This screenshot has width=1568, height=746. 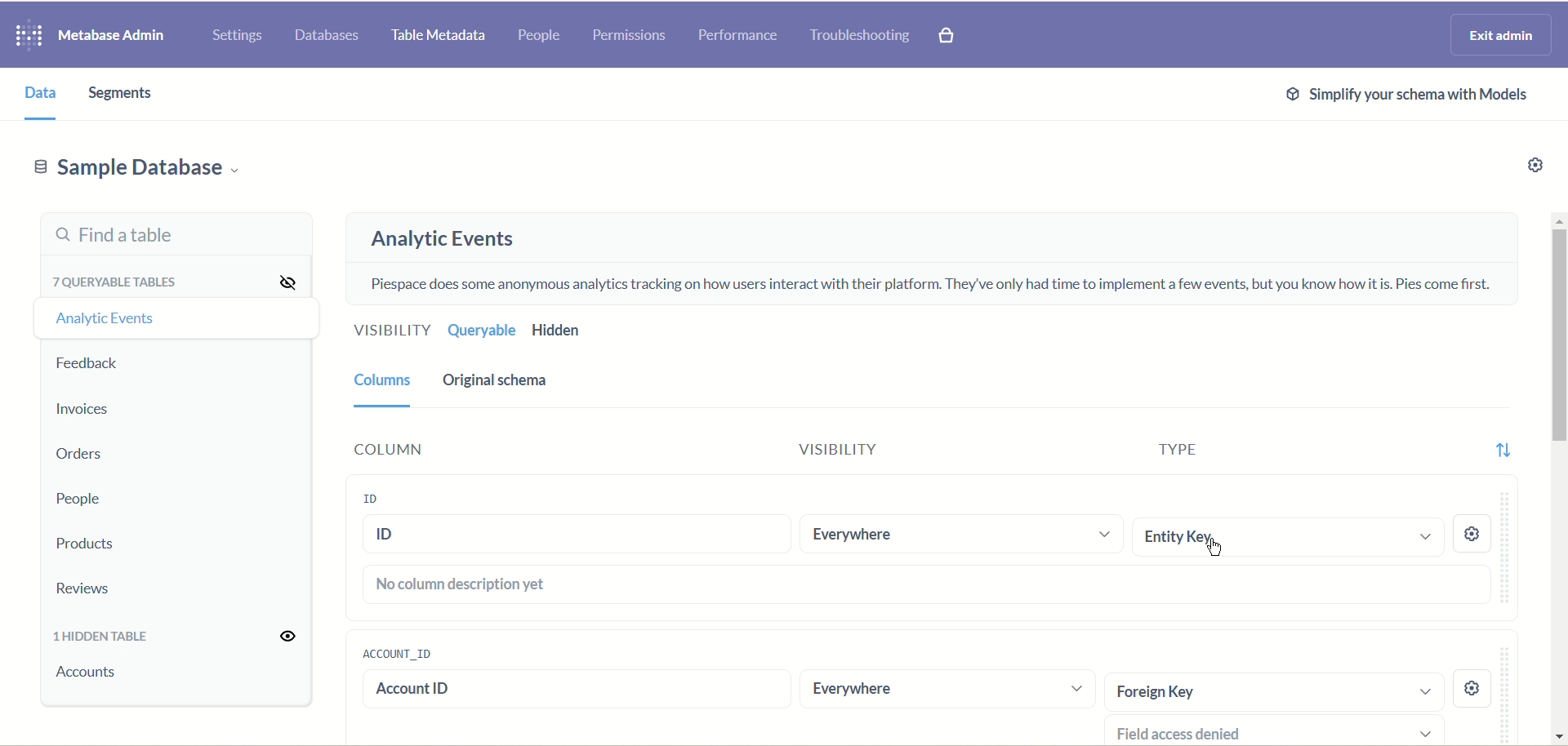 I want to click on hidden, so click(x=587, y=332).